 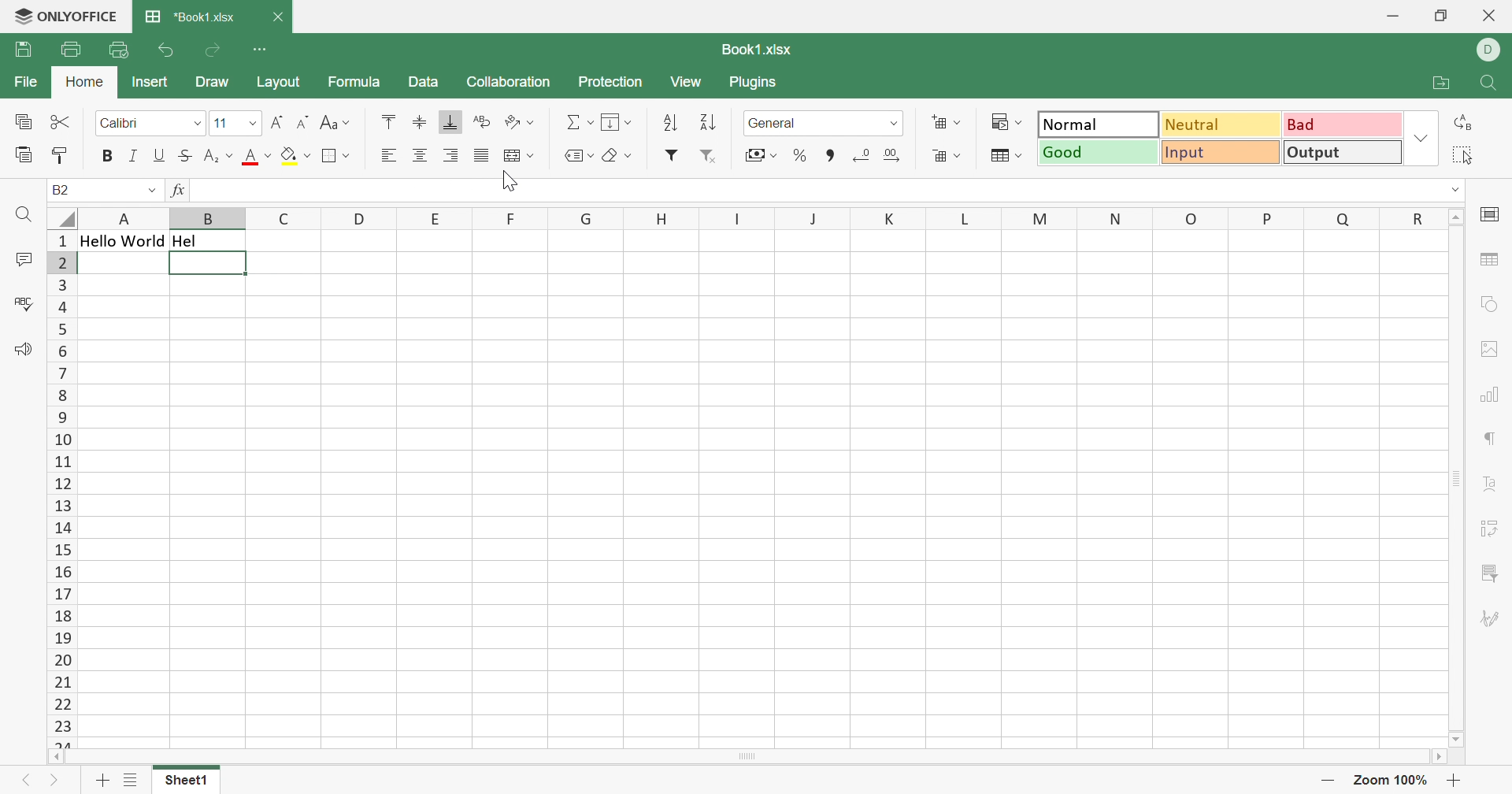 I want to click on Table settings, so click(x=1492, y=262).